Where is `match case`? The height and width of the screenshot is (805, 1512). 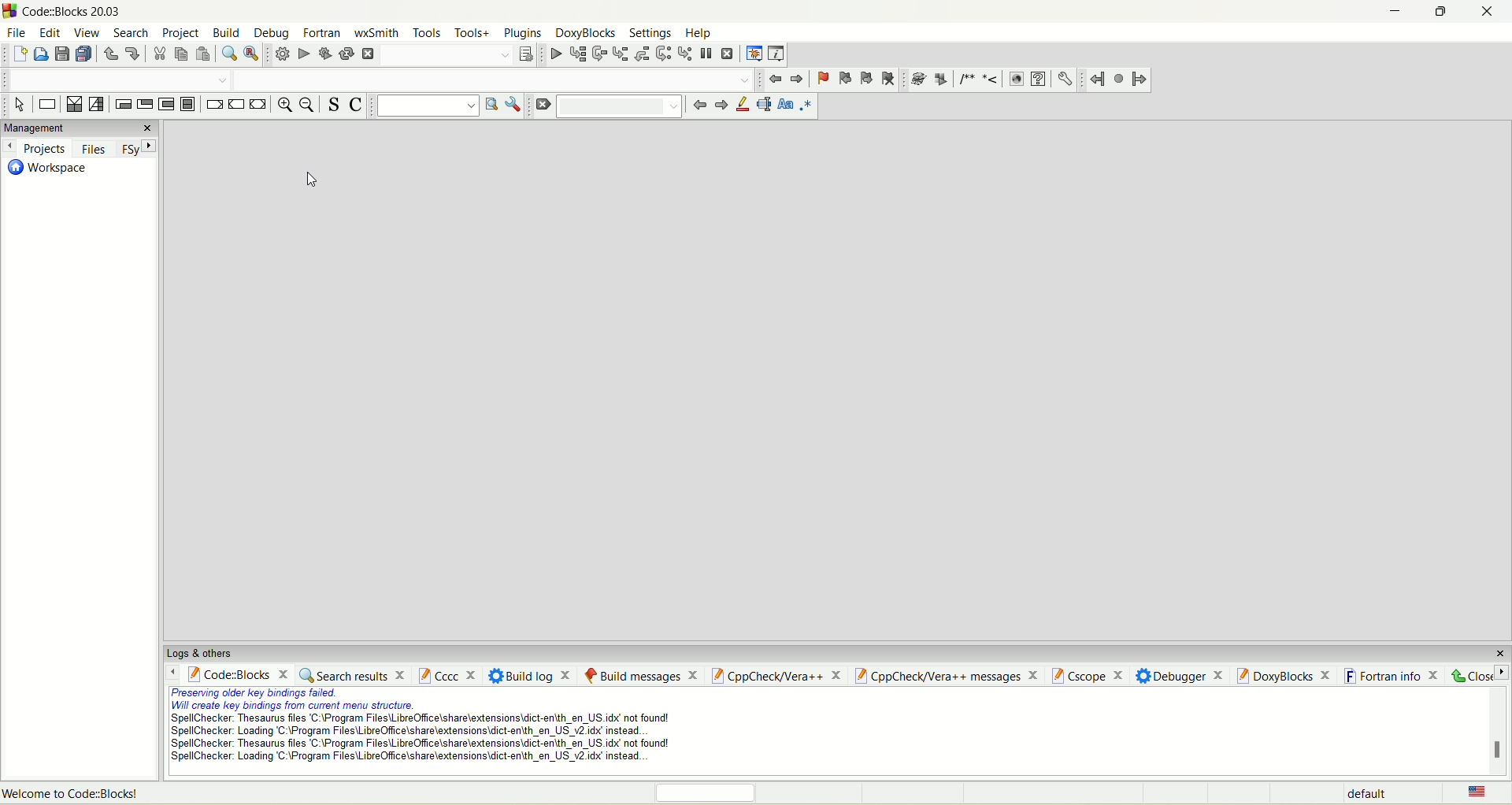
match case is located at coordinates (786, 106).